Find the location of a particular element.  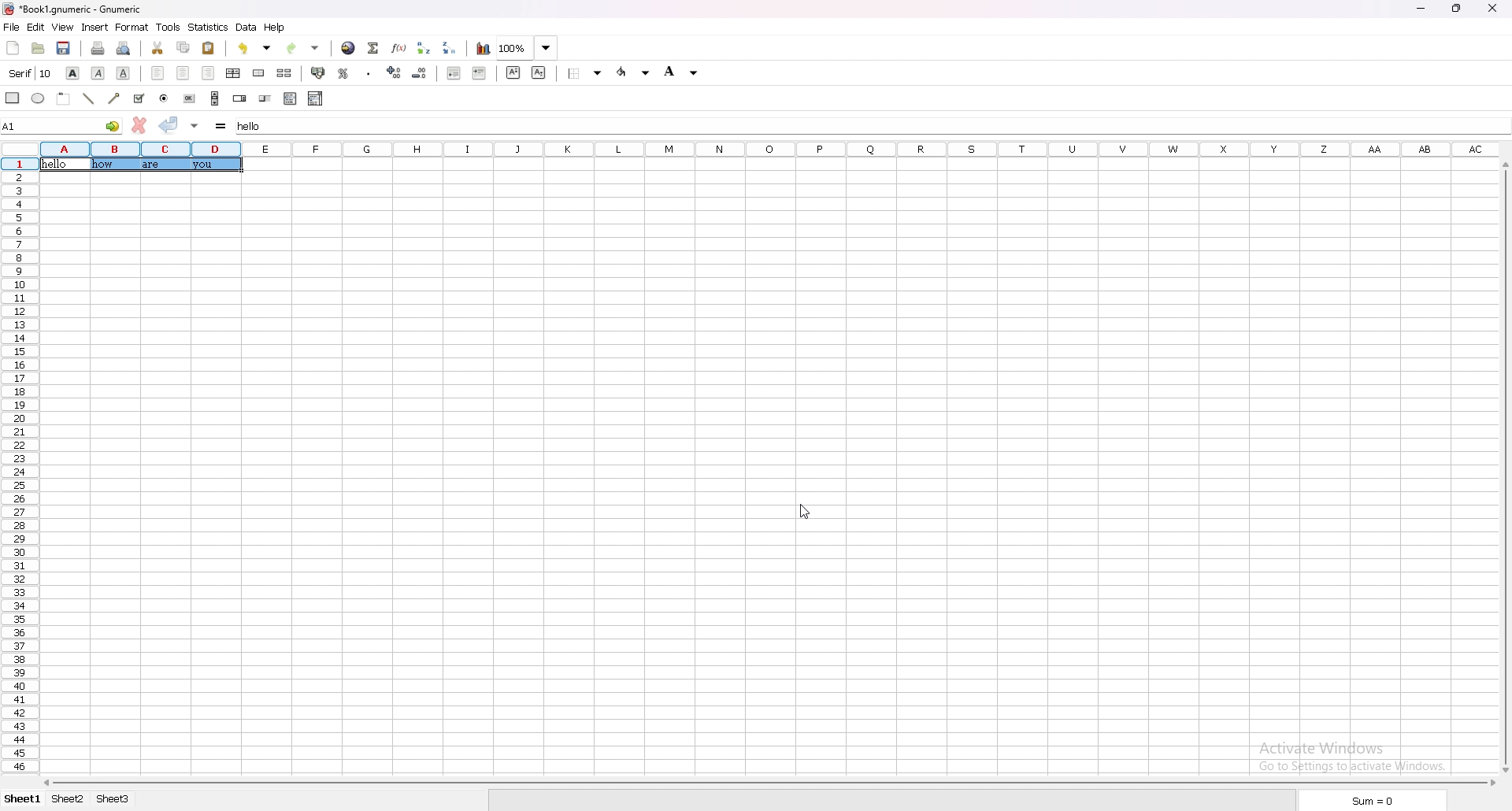

left align is located at coordinates (159, 73).